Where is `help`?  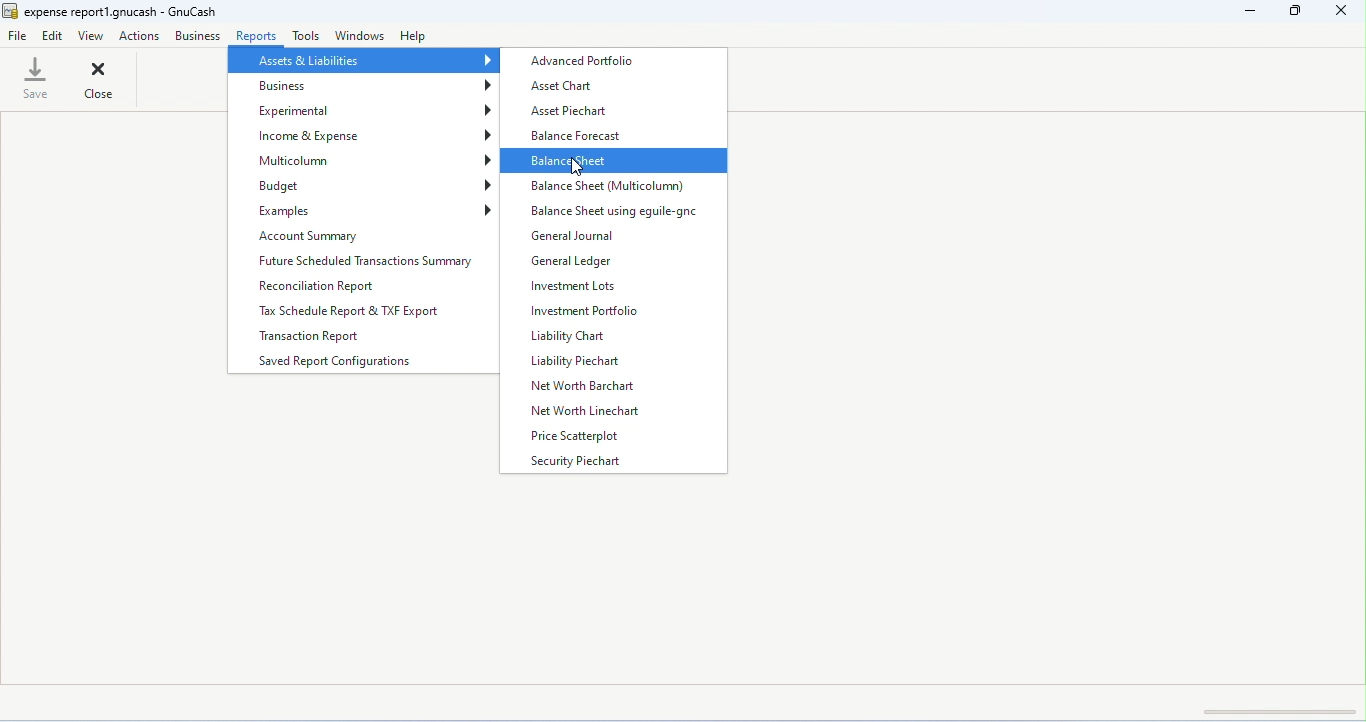
help is located at coordinates (416, 35).